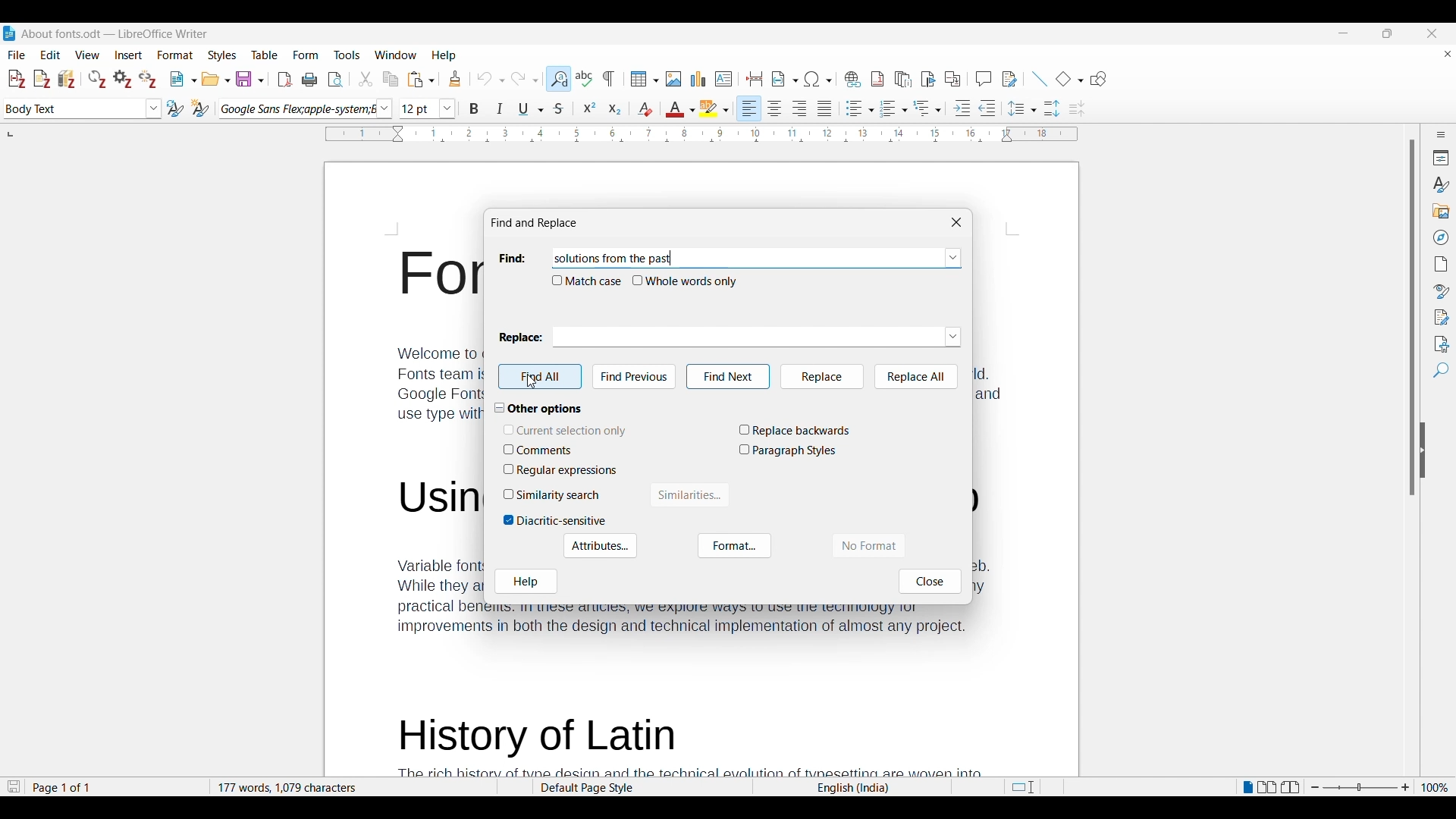 Image resolution: width=1456 pixels, height=819 pixels. I want to click on Toggle for match case, so click(587, 281).